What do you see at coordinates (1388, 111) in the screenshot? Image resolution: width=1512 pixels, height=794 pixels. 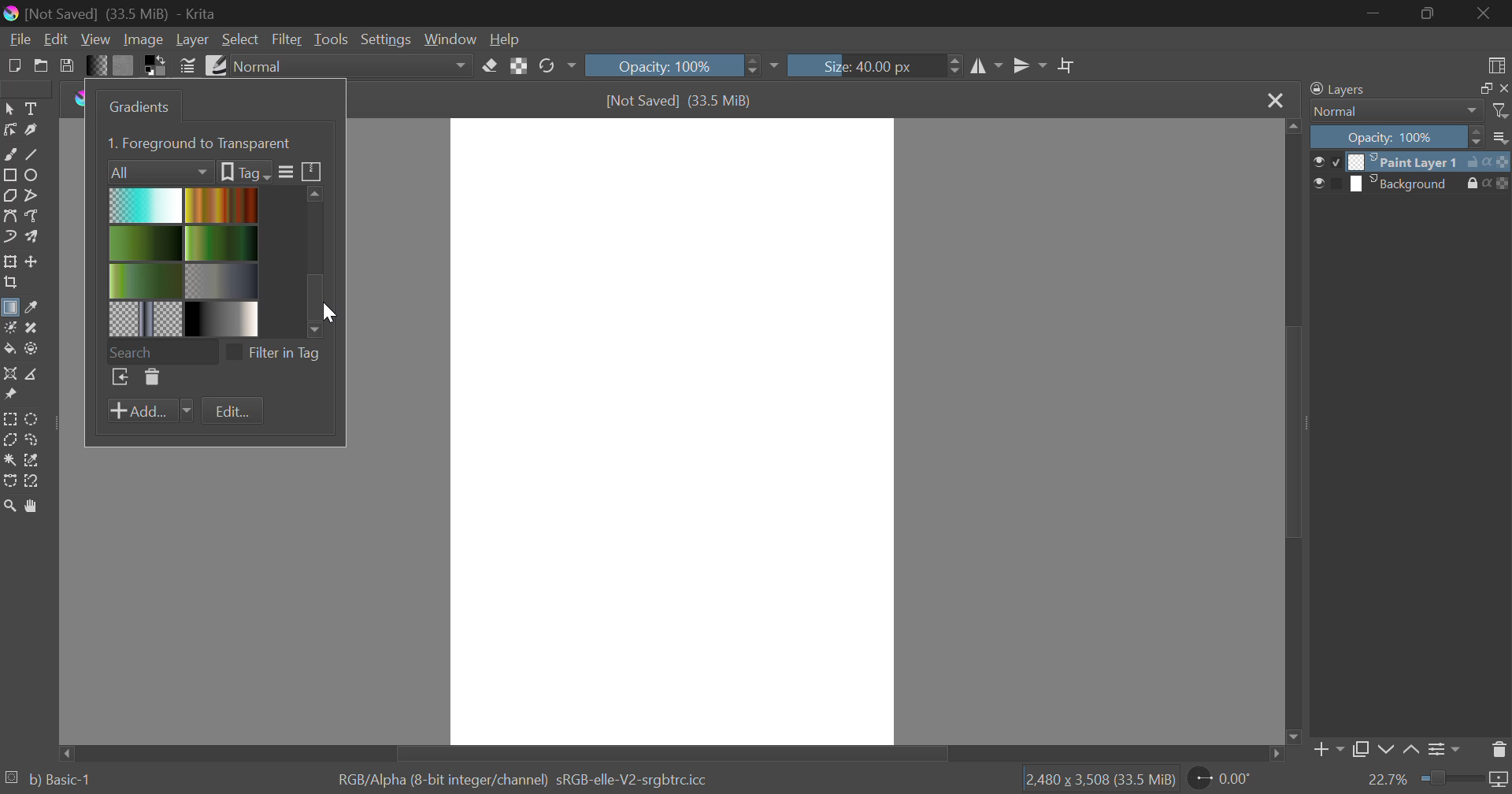 I see `Normal` at bounding box center [1388, 111].